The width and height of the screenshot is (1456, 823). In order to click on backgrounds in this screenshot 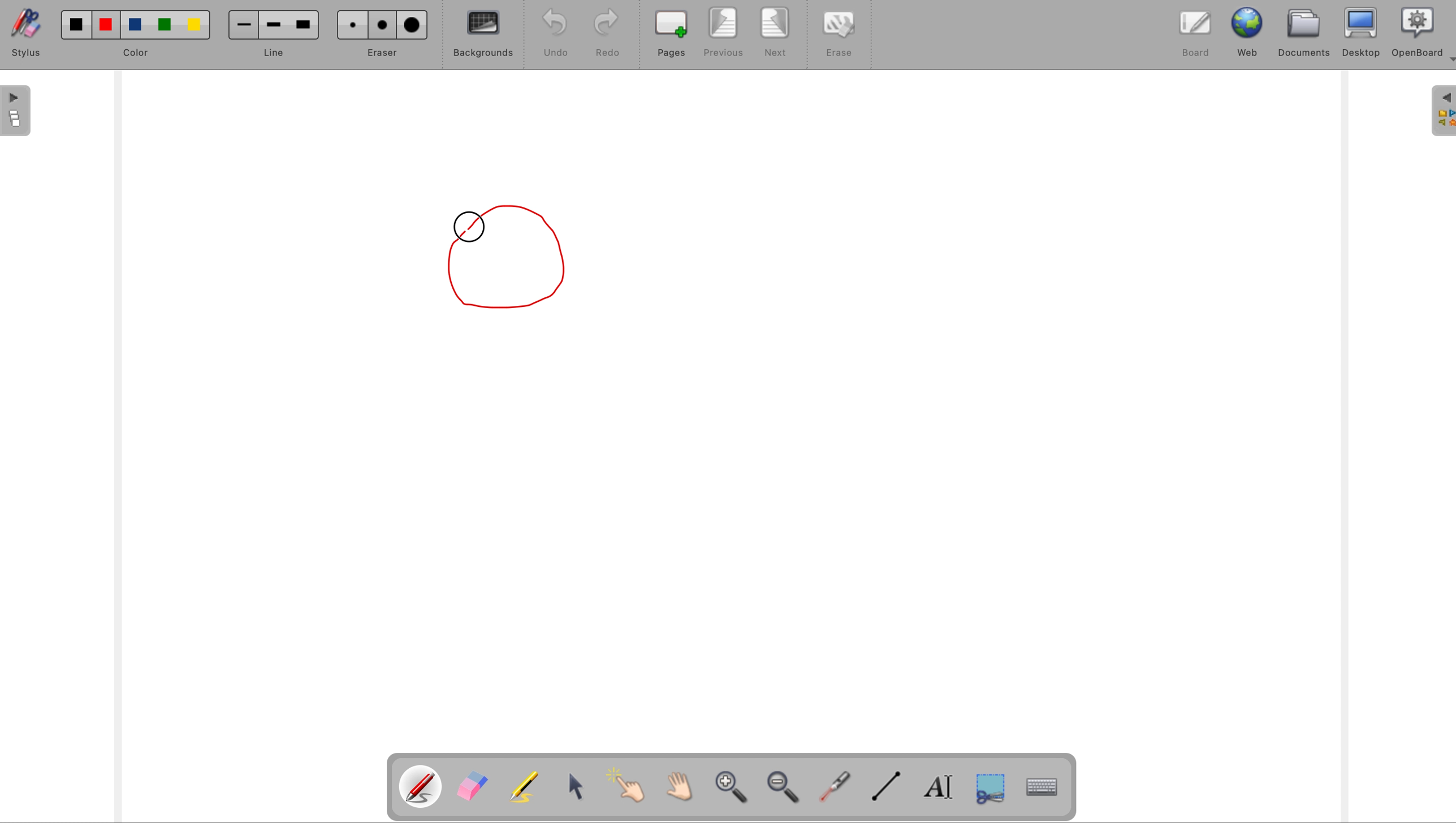, I will do `click(483, 37)`.